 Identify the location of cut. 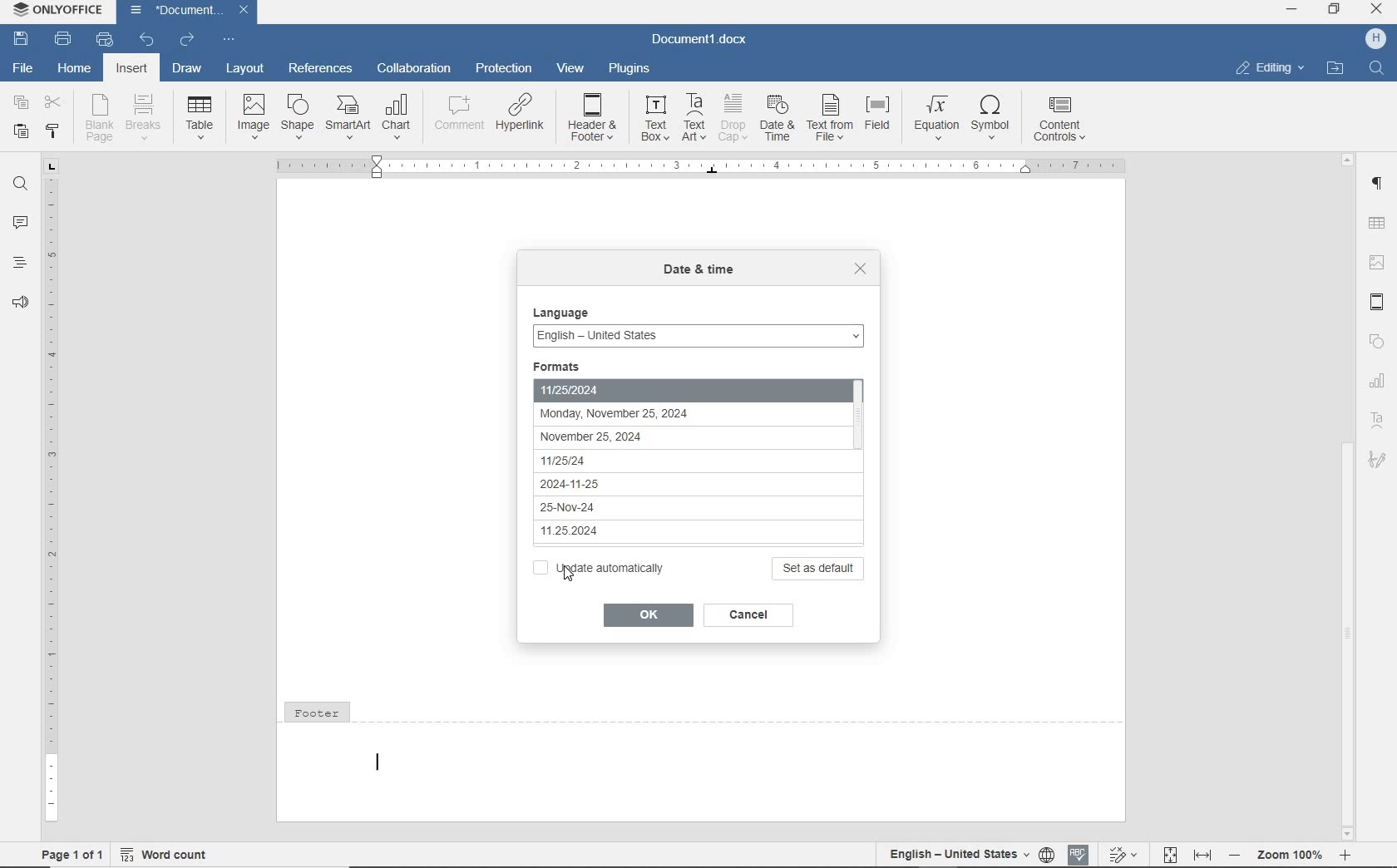
(52, 103).